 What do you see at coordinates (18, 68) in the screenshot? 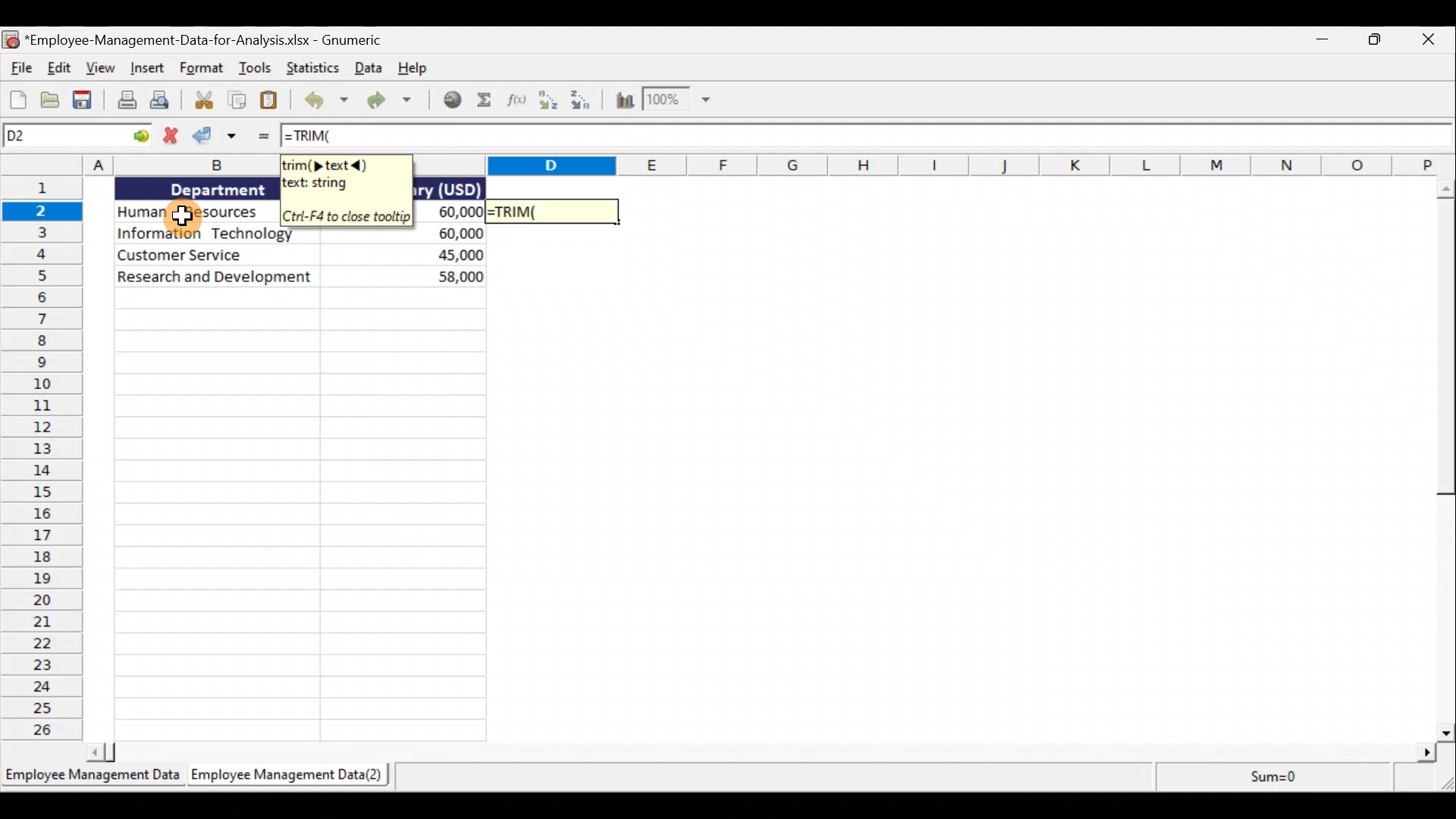
I see `File` at bounding box center [18, 68].